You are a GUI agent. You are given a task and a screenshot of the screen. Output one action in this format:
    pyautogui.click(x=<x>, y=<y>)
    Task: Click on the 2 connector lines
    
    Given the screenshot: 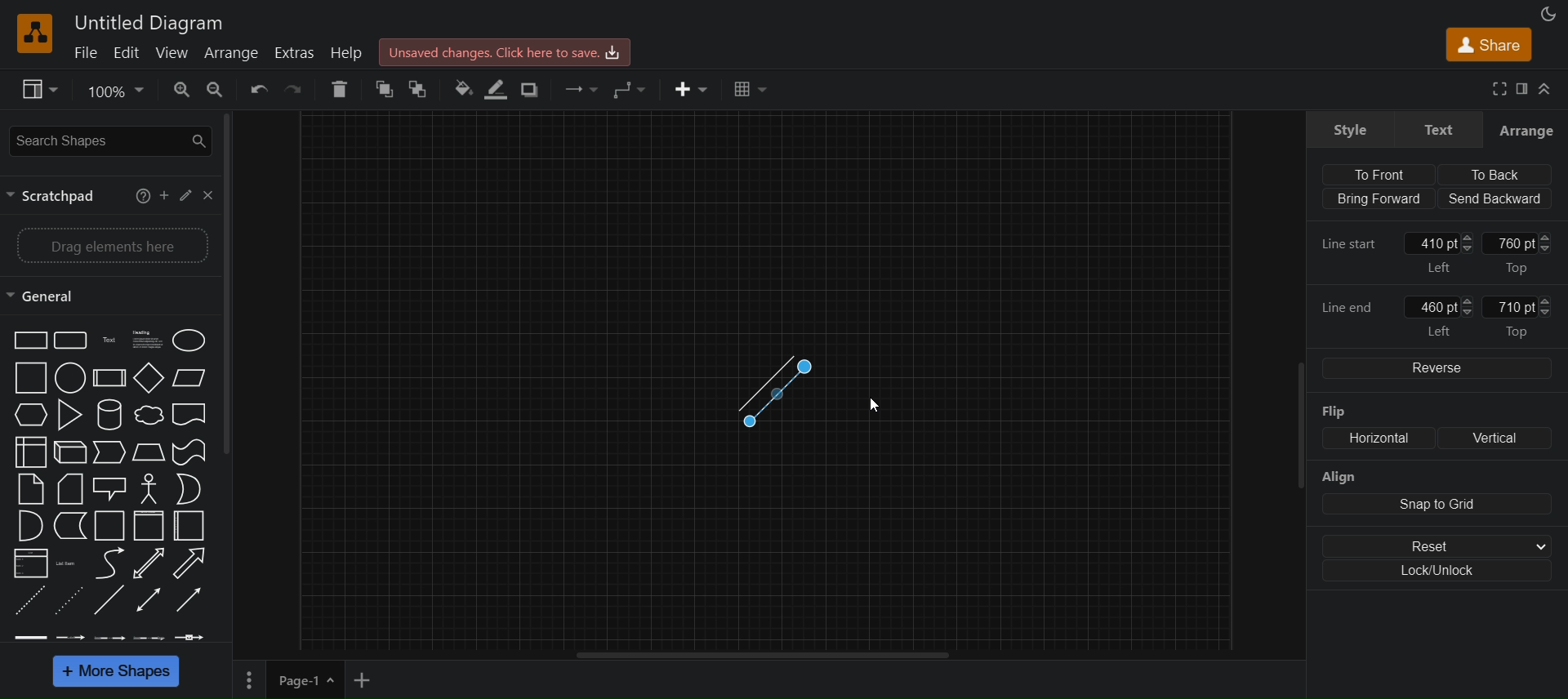 What is the action you would take?
    pyautogui.click(x=780, y=394)
    